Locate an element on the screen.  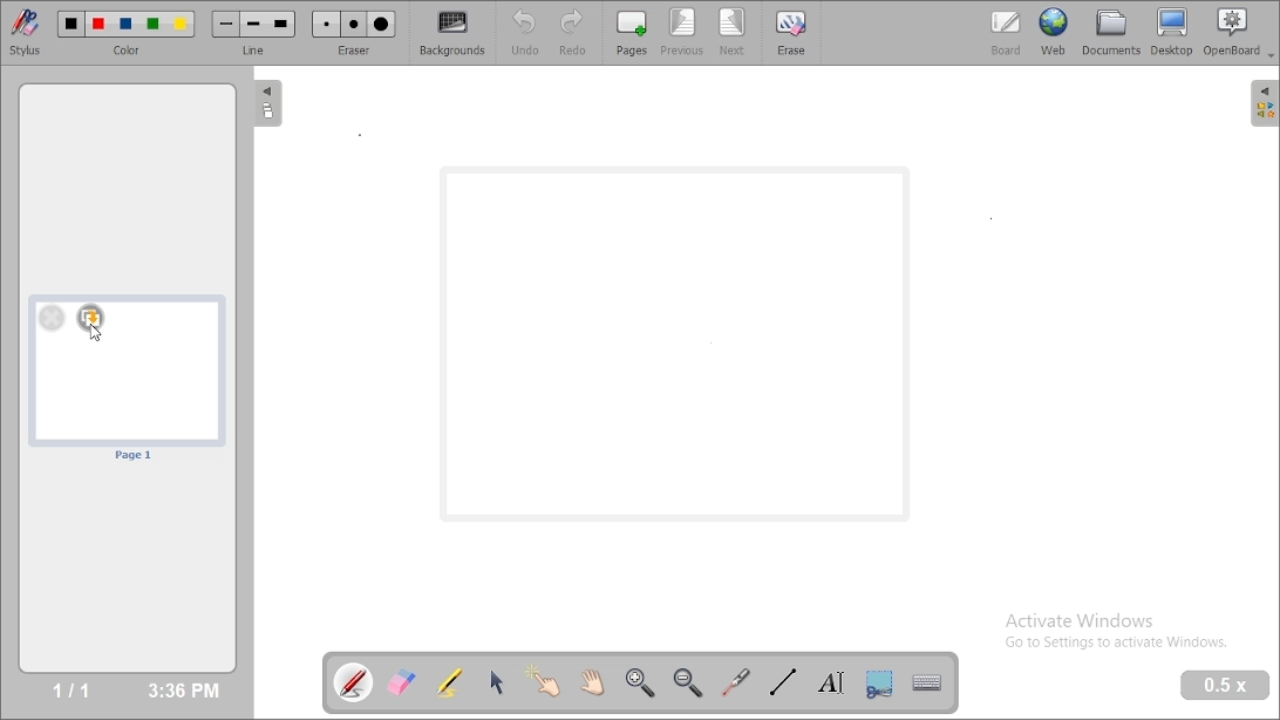
page 1 is located at coordinates (129, 378).